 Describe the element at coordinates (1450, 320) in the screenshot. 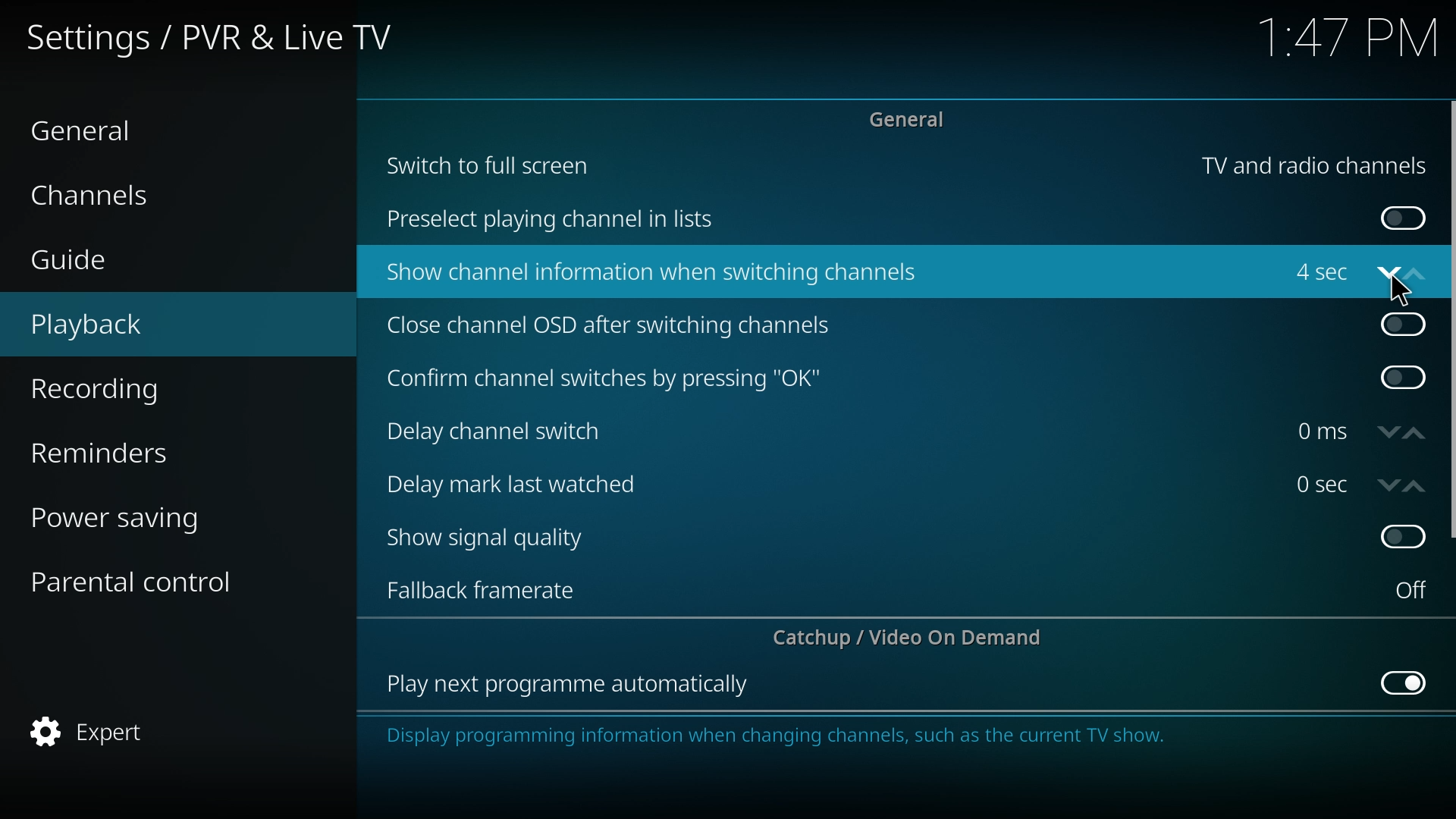

I see `scroll bar` at that location.